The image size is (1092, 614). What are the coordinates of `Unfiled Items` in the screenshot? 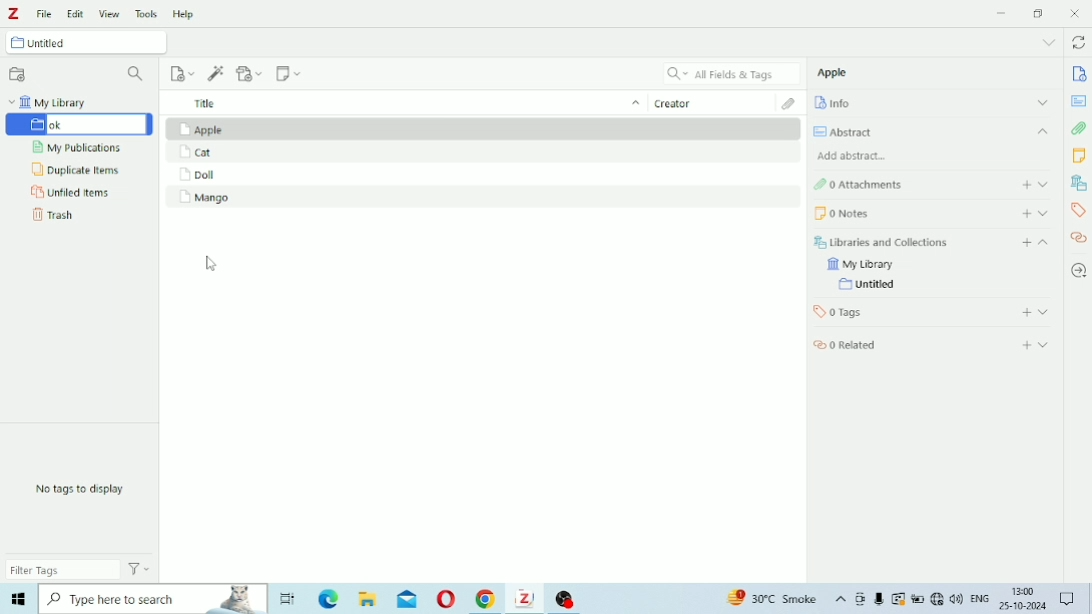 It's located at (70, 192).